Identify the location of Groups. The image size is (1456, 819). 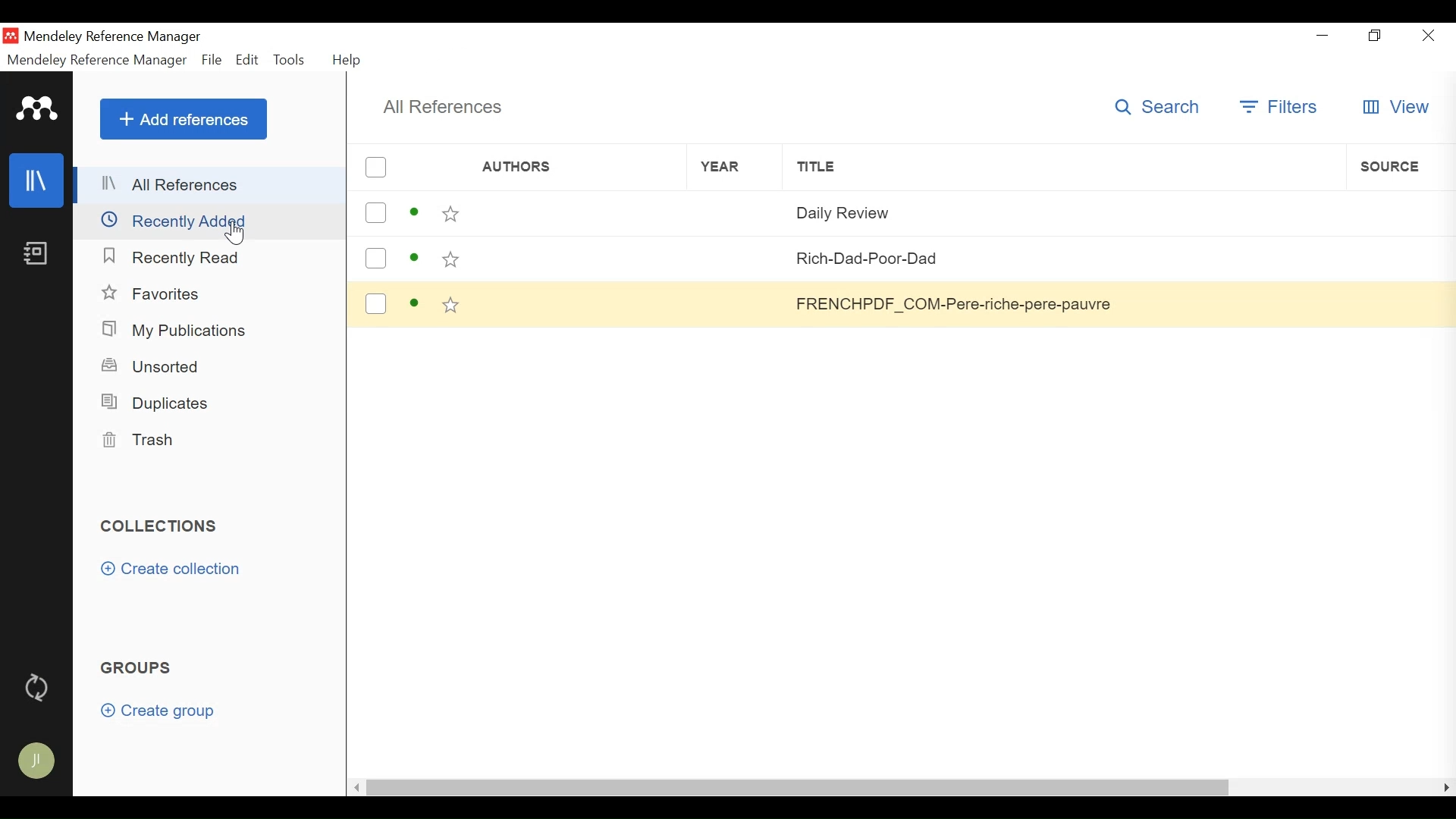
(143, 668).